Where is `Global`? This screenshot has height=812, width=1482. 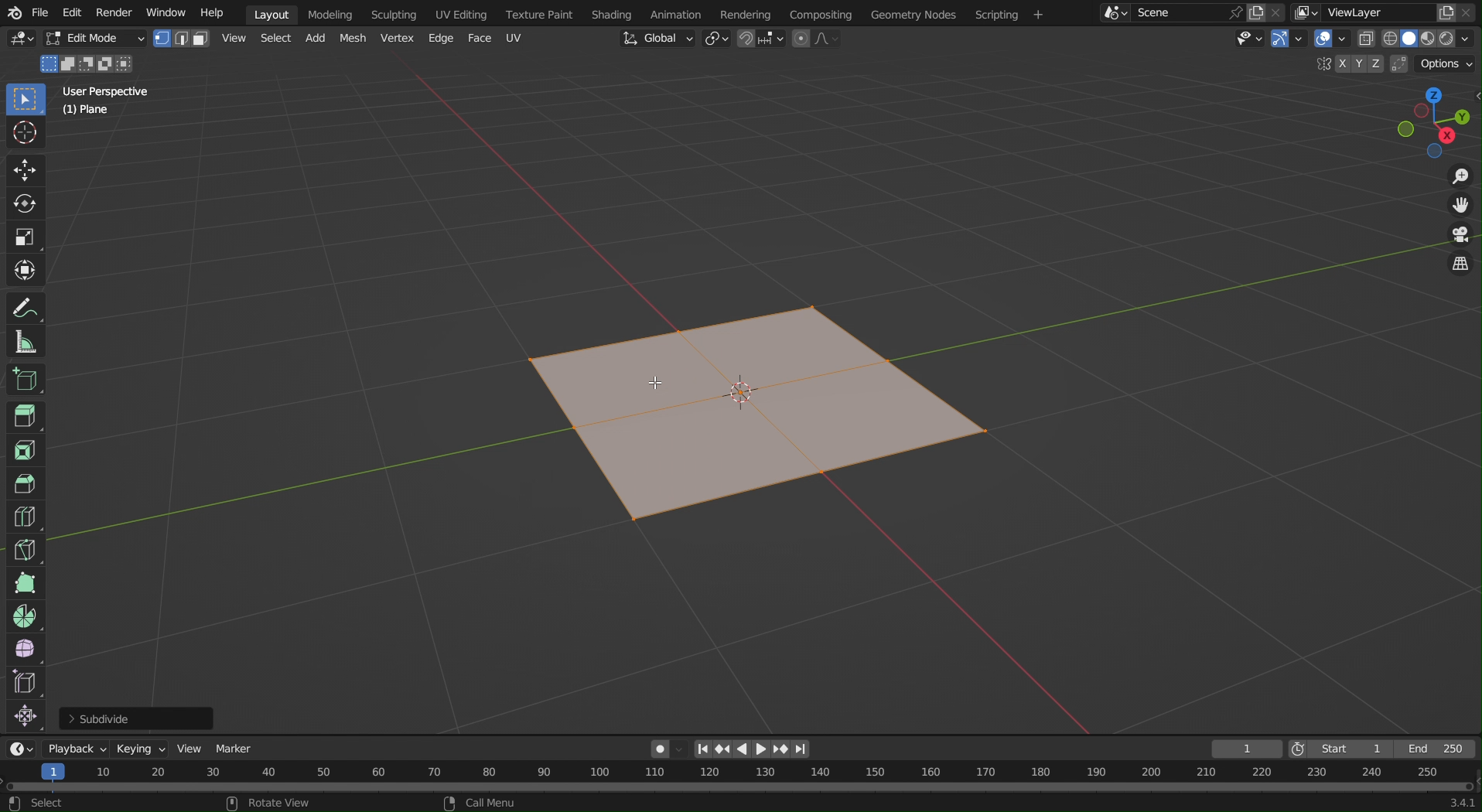 Global is located at coordinates (655, 39).